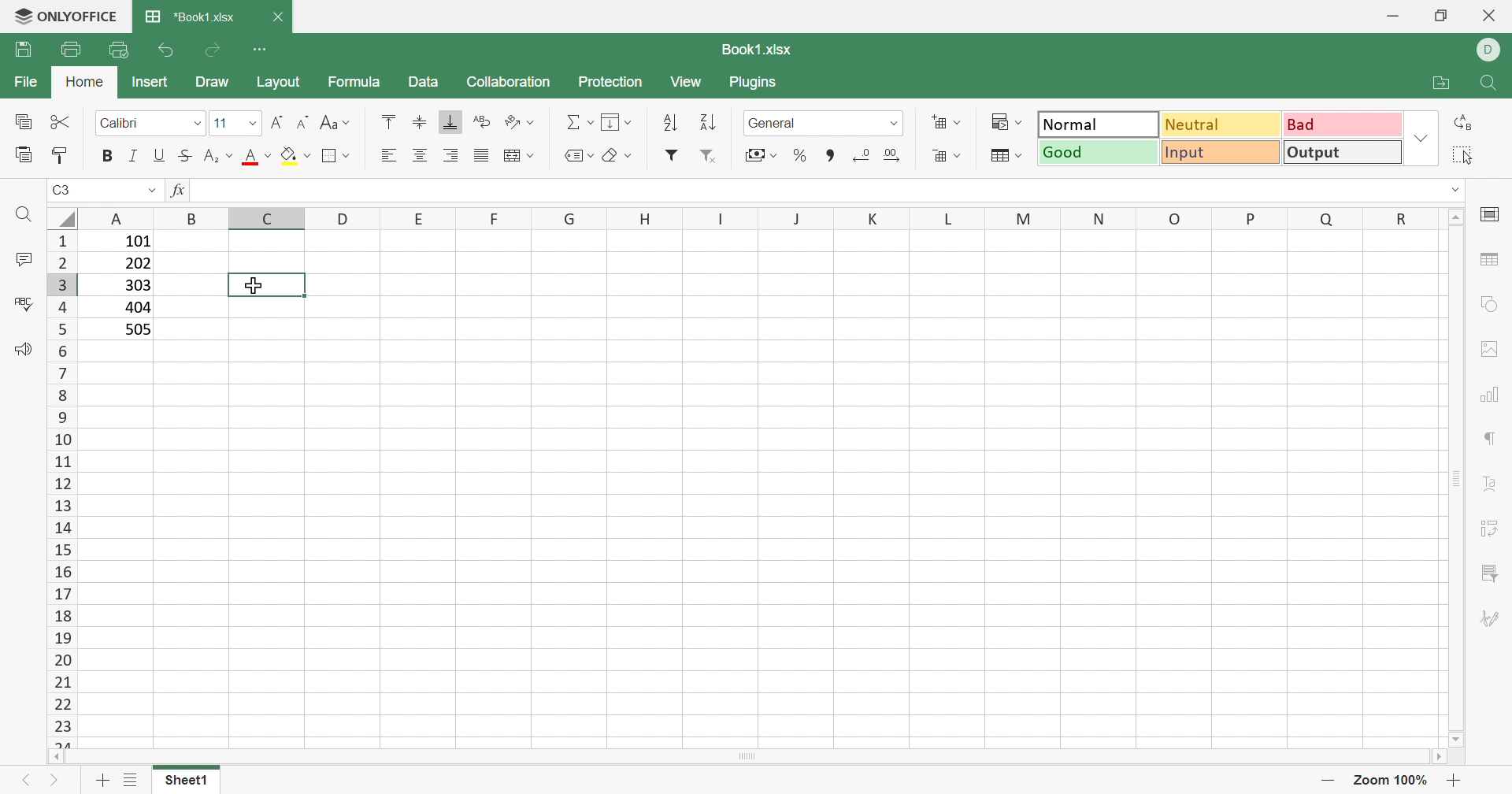 Image resolution: width=1512 pixels, height=794 pixels. I want to click on Drop Down, so click(894, 123).